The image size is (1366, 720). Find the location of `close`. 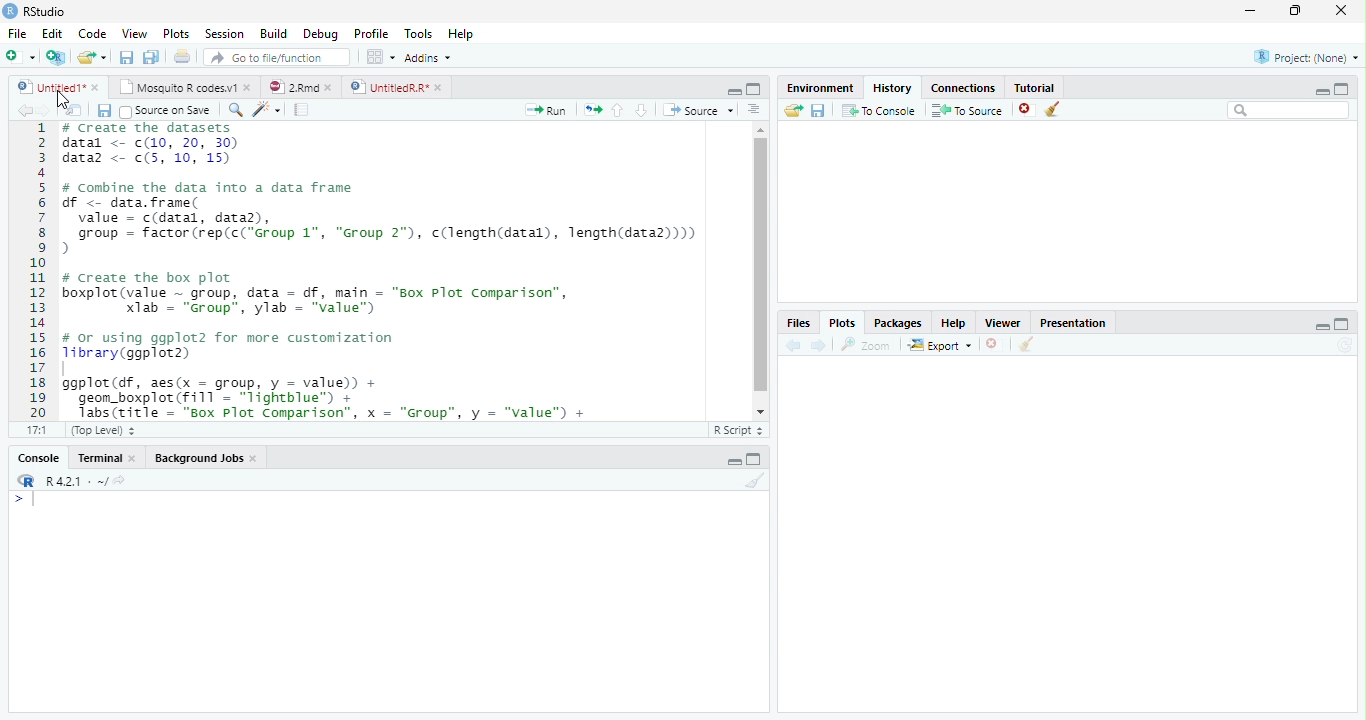

close is located at coordinates (95, 87).